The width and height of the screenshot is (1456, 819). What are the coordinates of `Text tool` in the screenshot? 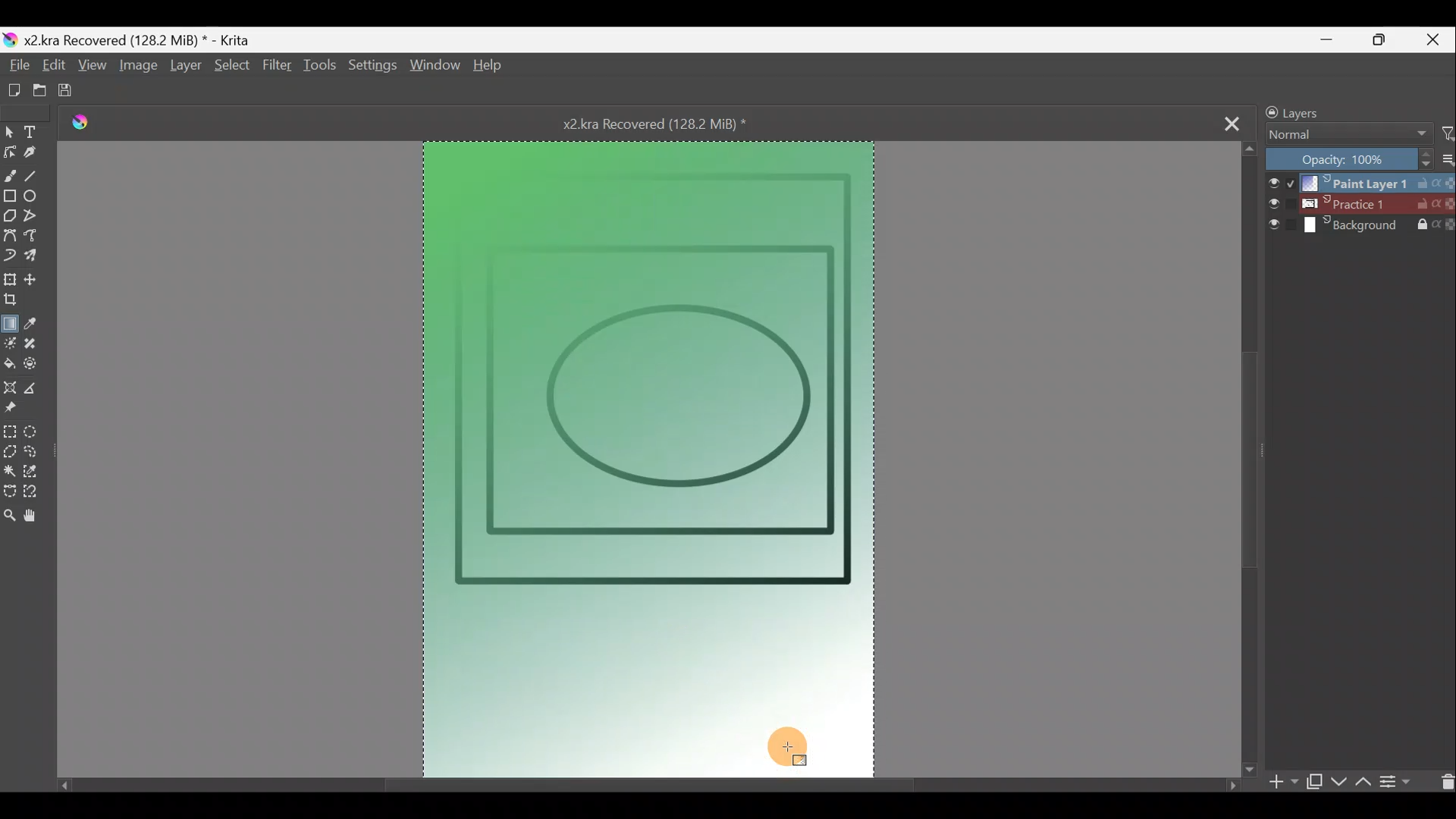 It's located at (35, 132).